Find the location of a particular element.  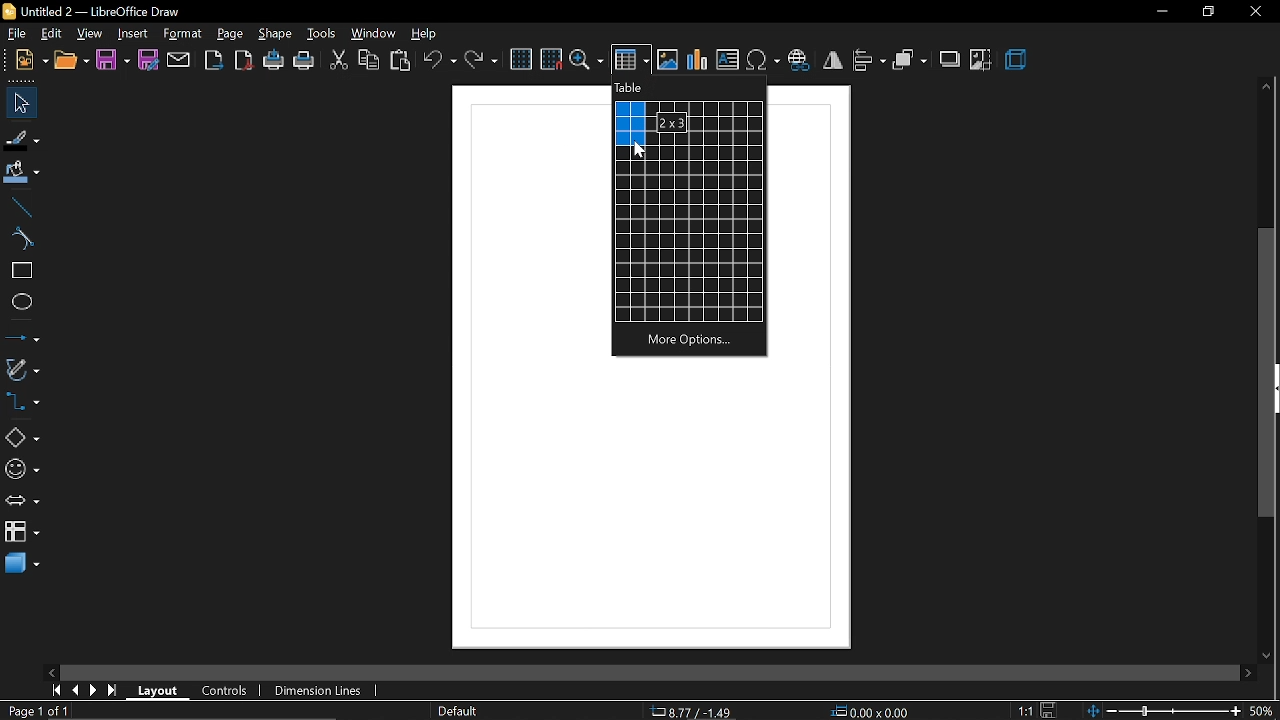

insert table is located at coordinates (631, 59).